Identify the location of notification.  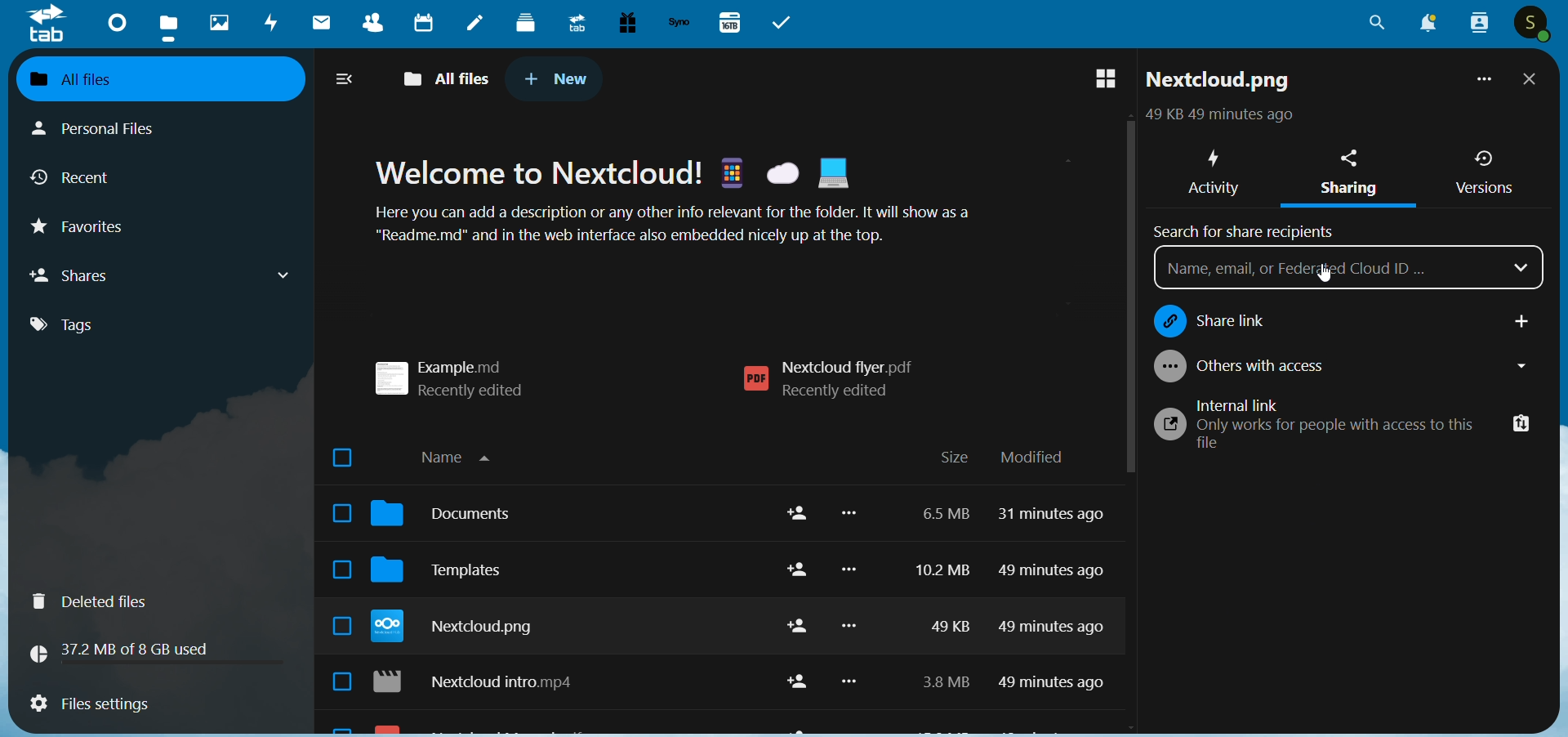
(1424, 25).